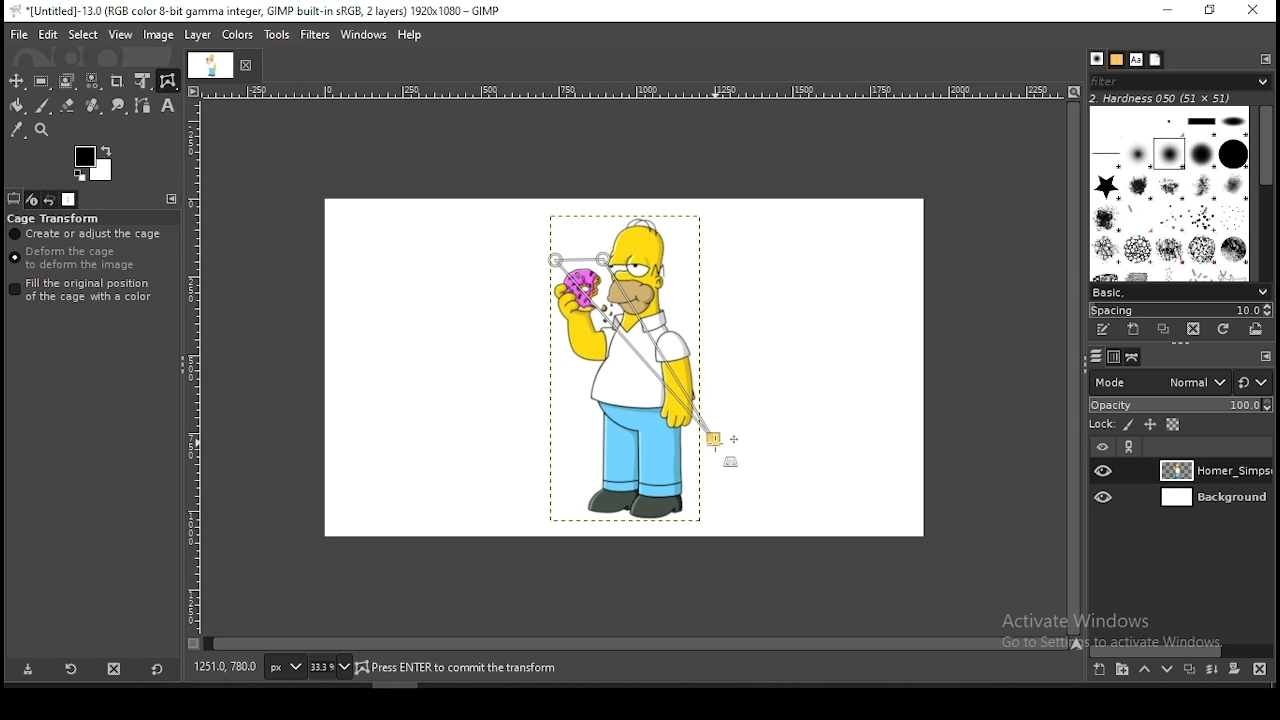 The image size is (1280, 720). I want to click on refresh brushes, so click(1224, 329).